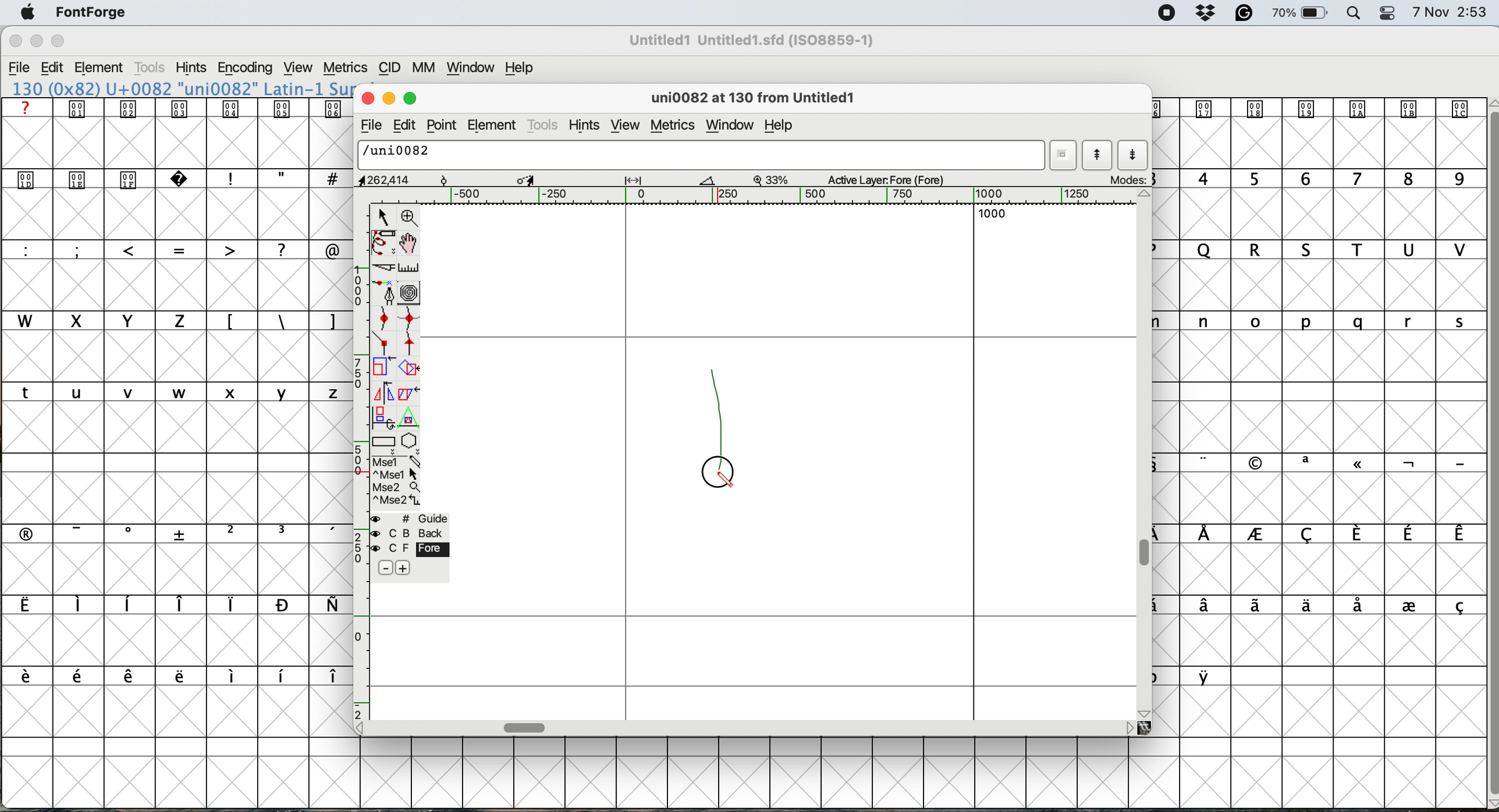 The height and width of the screenshot is (812, 1499). I want to click on view, so click(300, 68).